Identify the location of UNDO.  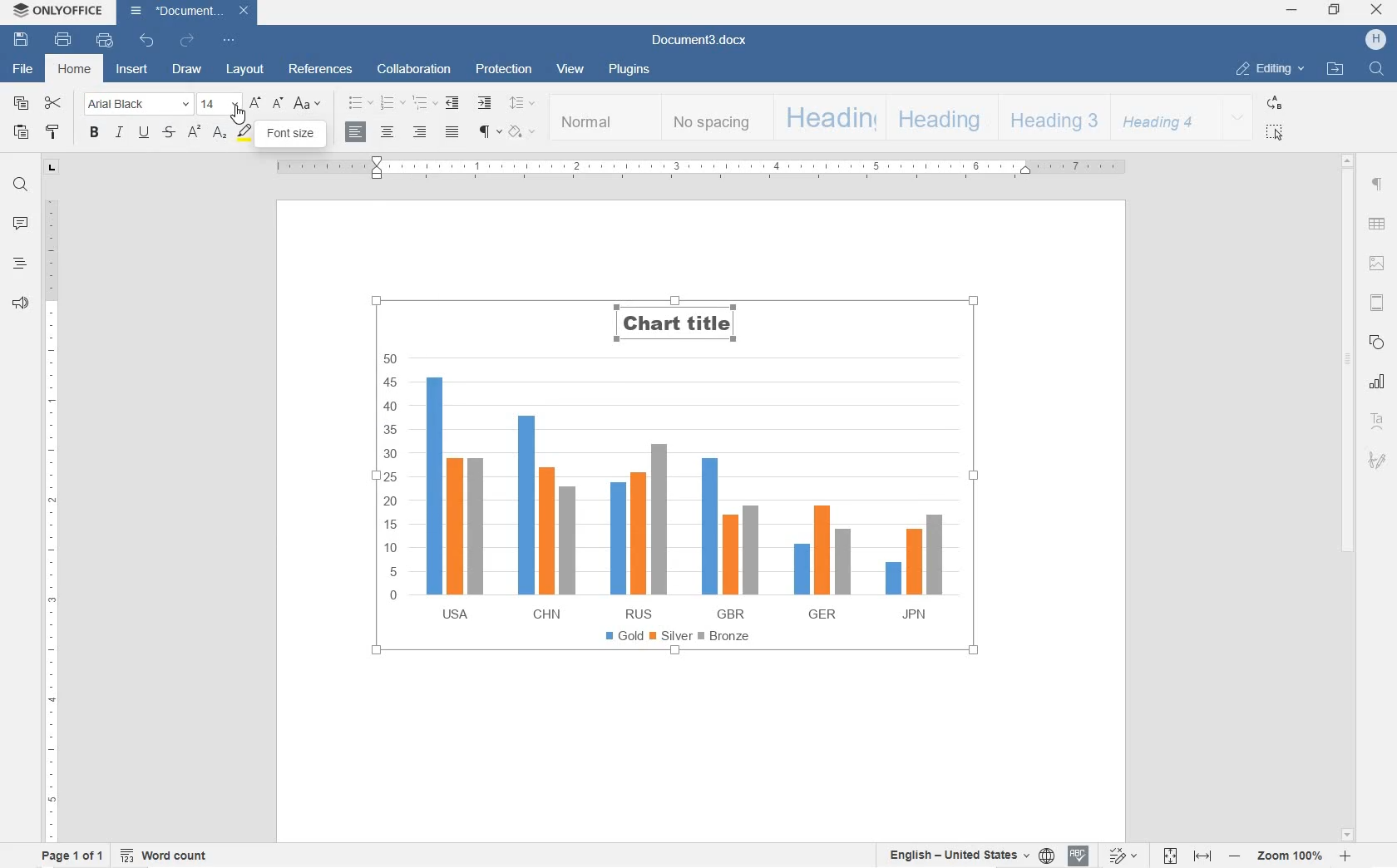
(144, 42).